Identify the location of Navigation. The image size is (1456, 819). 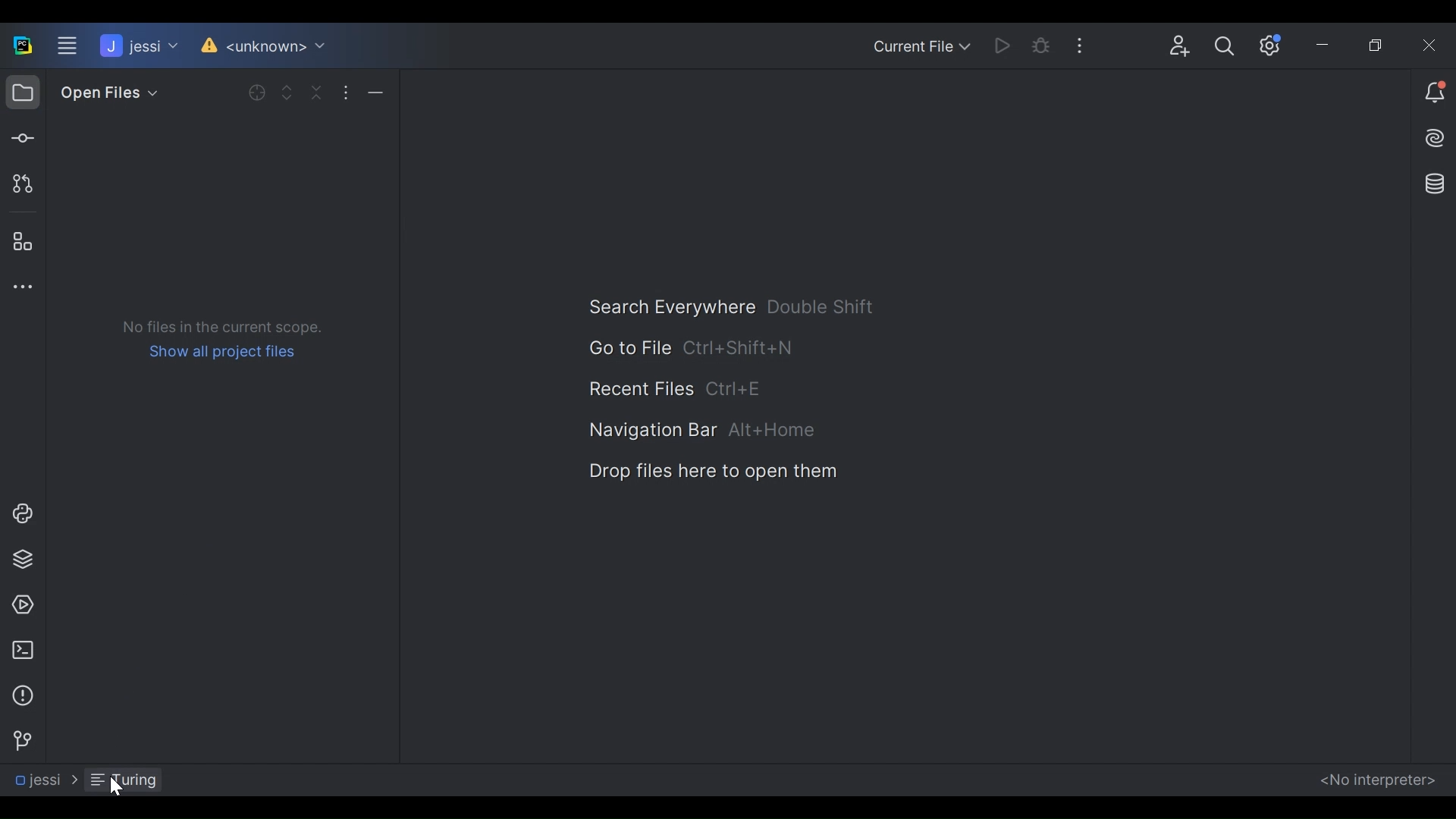
(83, 780).